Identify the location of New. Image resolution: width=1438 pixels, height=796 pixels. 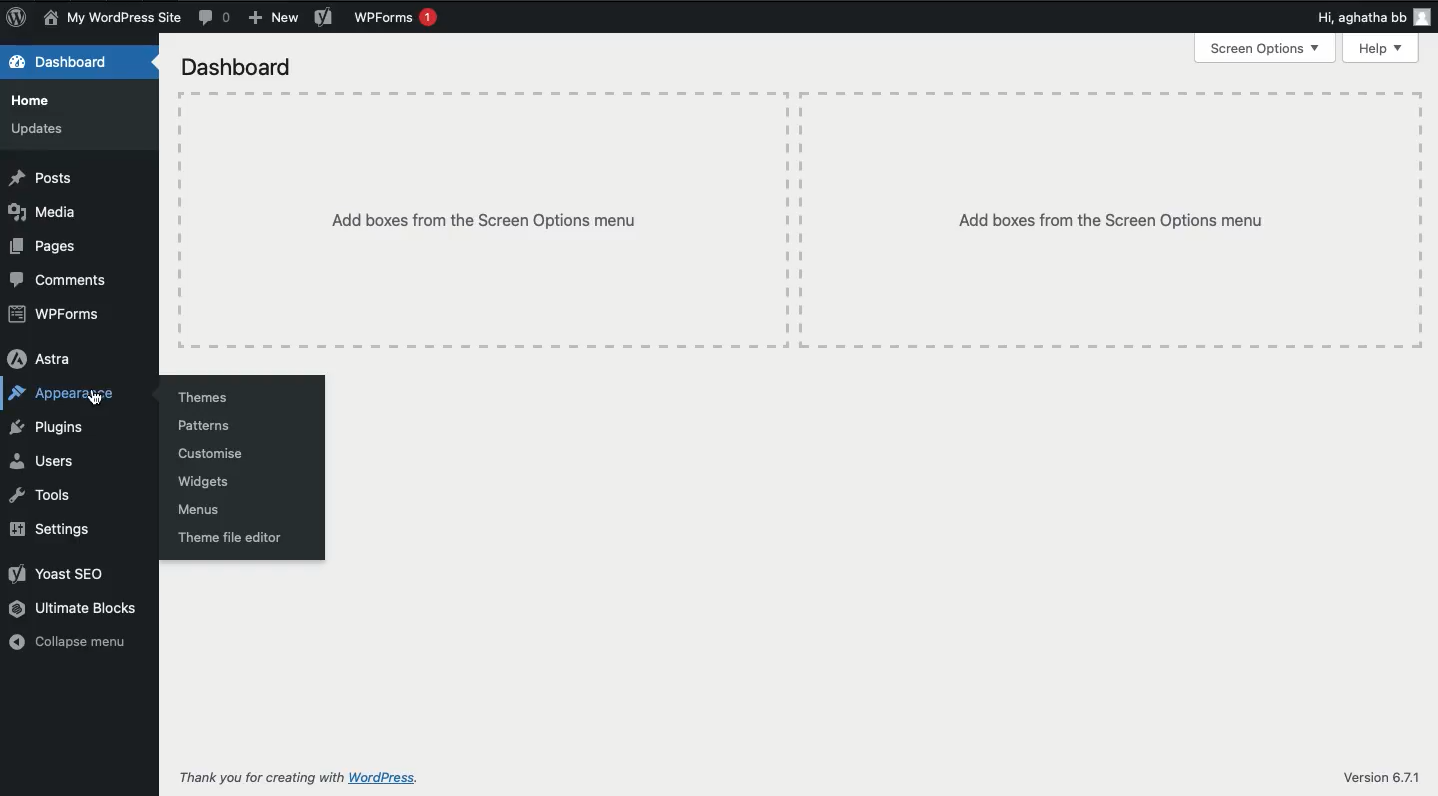
(275, 17).